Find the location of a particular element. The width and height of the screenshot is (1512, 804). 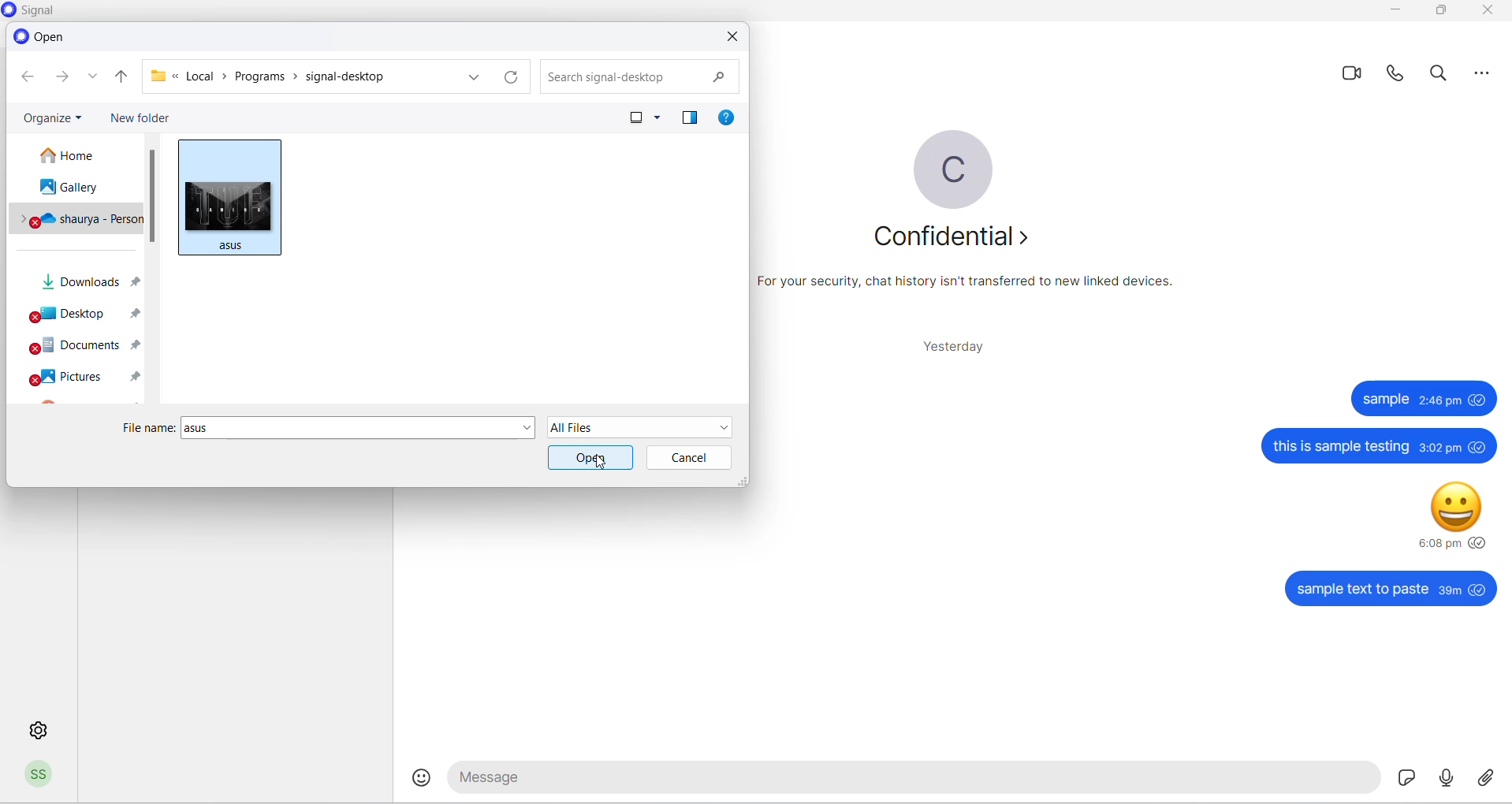

sample text to paste is located at coordinates (1361, 590).